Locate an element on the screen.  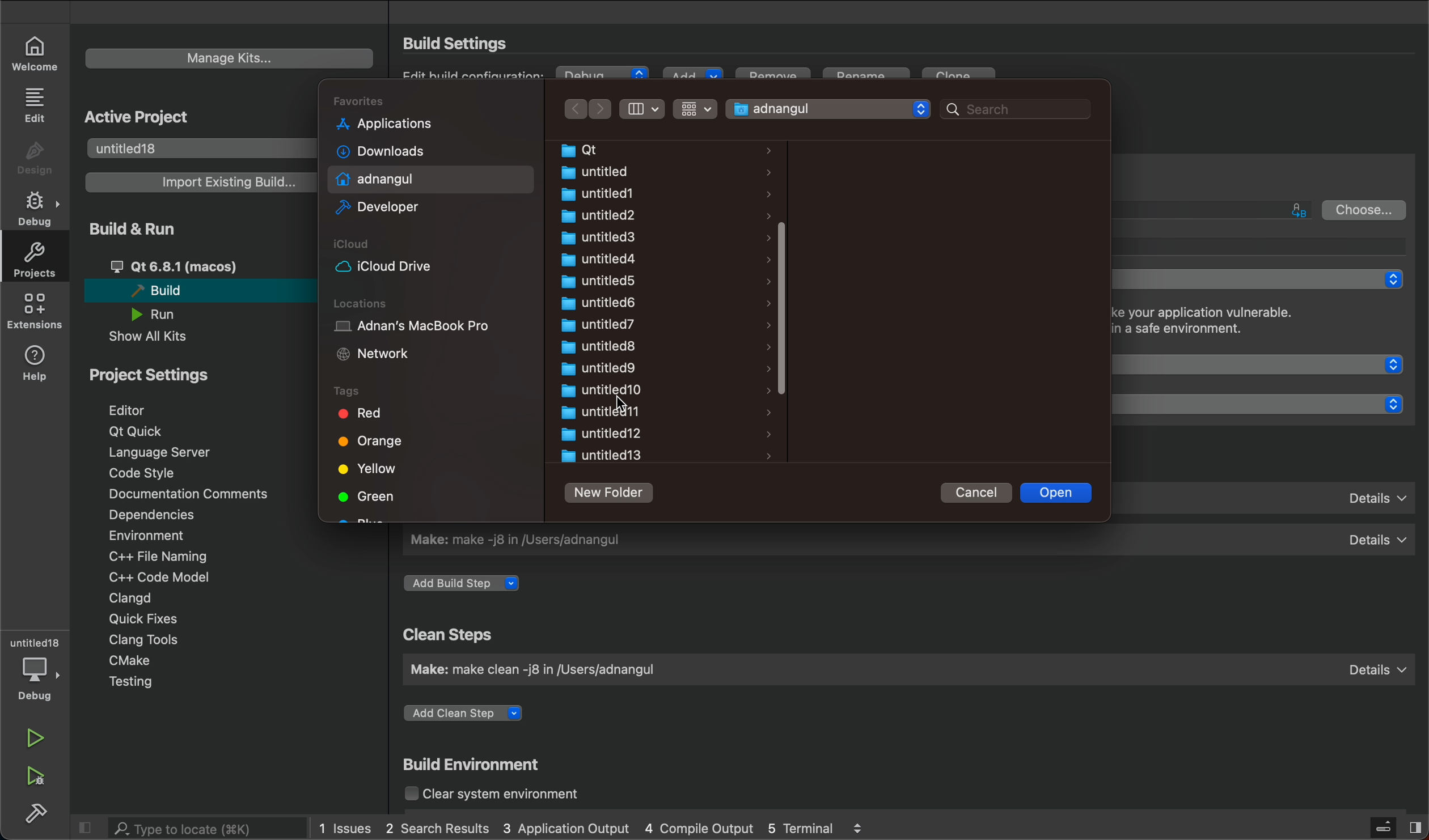
testing is located at coordinates (132, 682).